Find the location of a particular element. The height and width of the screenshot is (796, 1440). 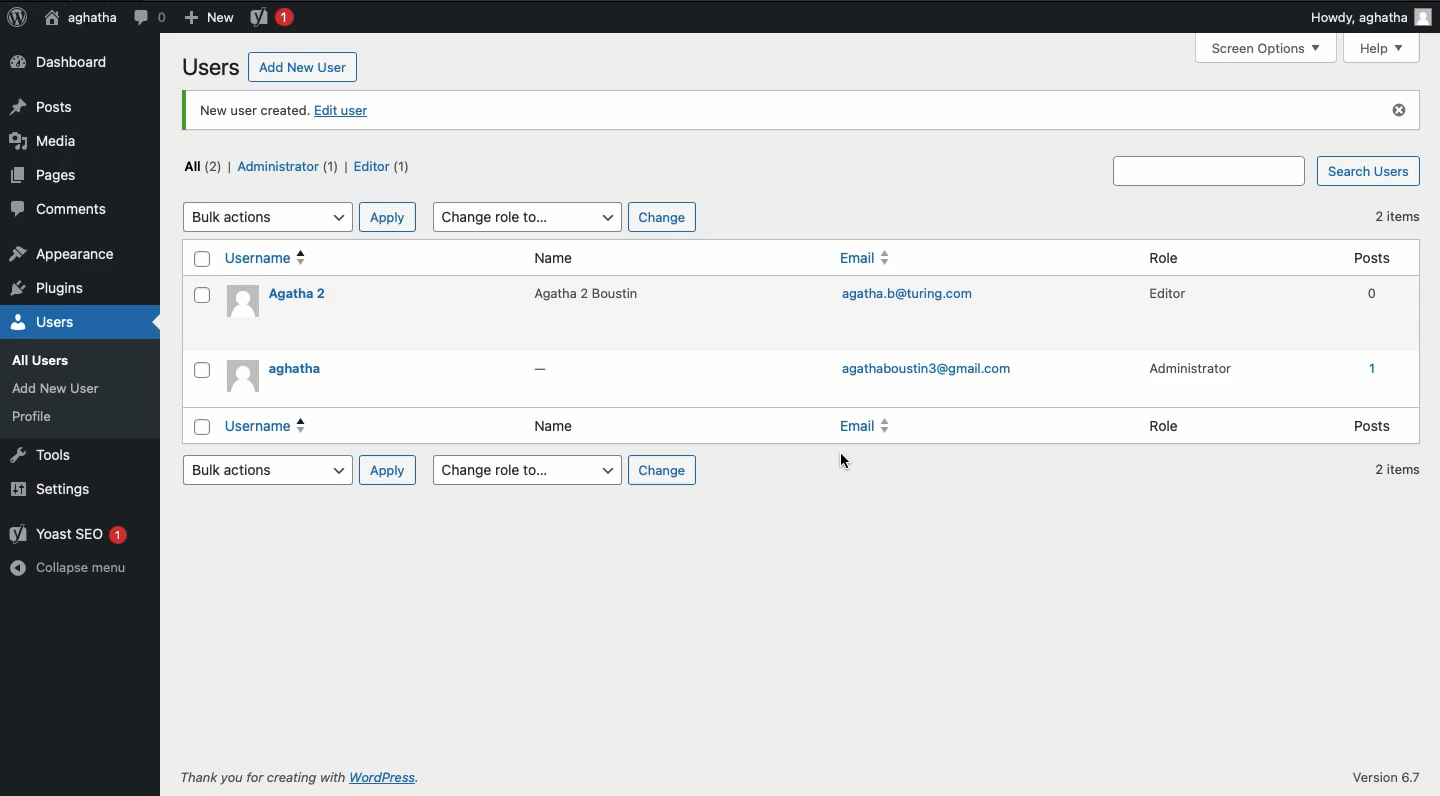

cursor is located at coordinates (843, 461).